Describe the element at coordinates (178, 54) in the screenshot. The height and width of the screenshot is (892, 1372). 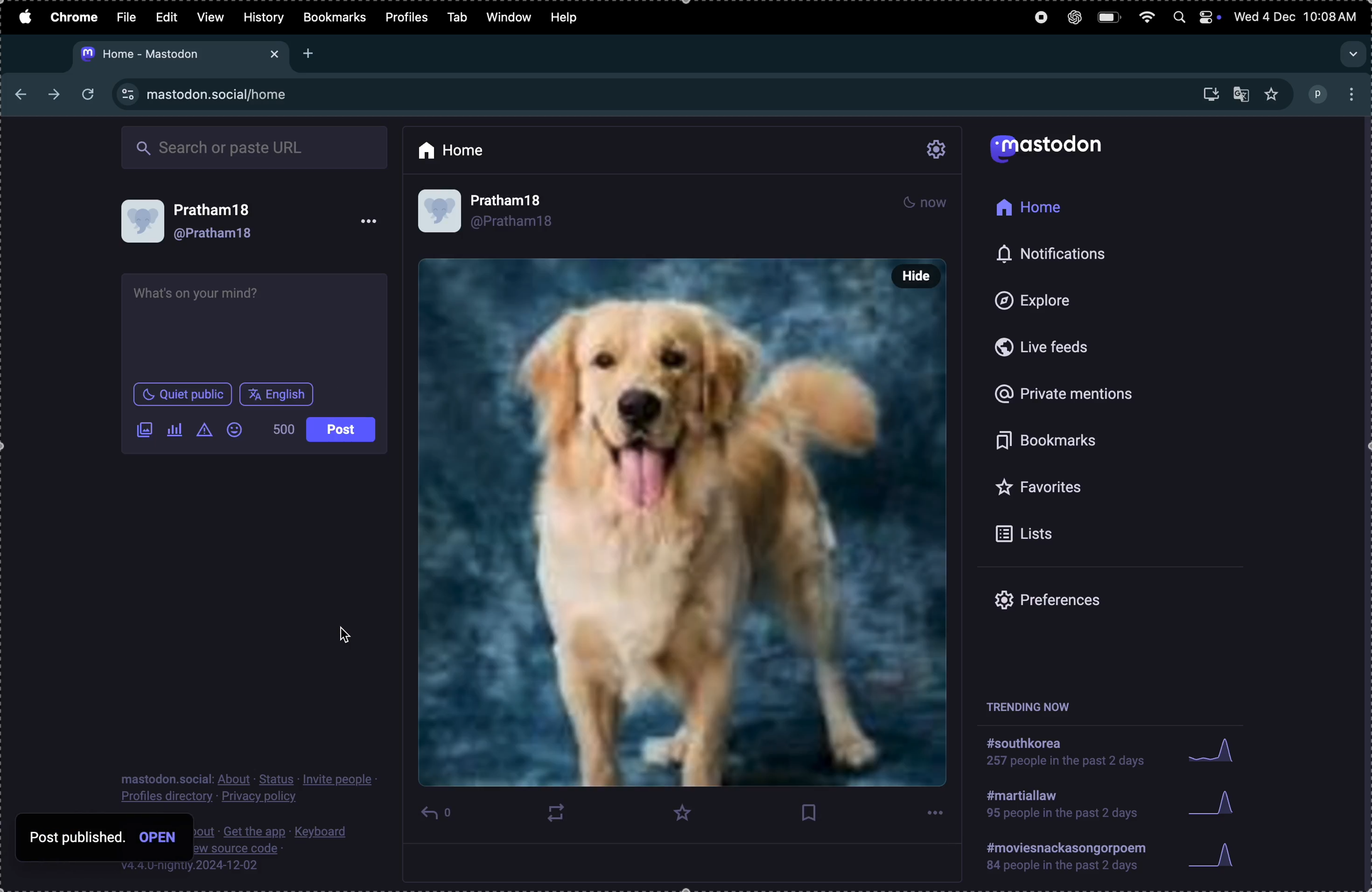
I see `mastodon tab` at that location.